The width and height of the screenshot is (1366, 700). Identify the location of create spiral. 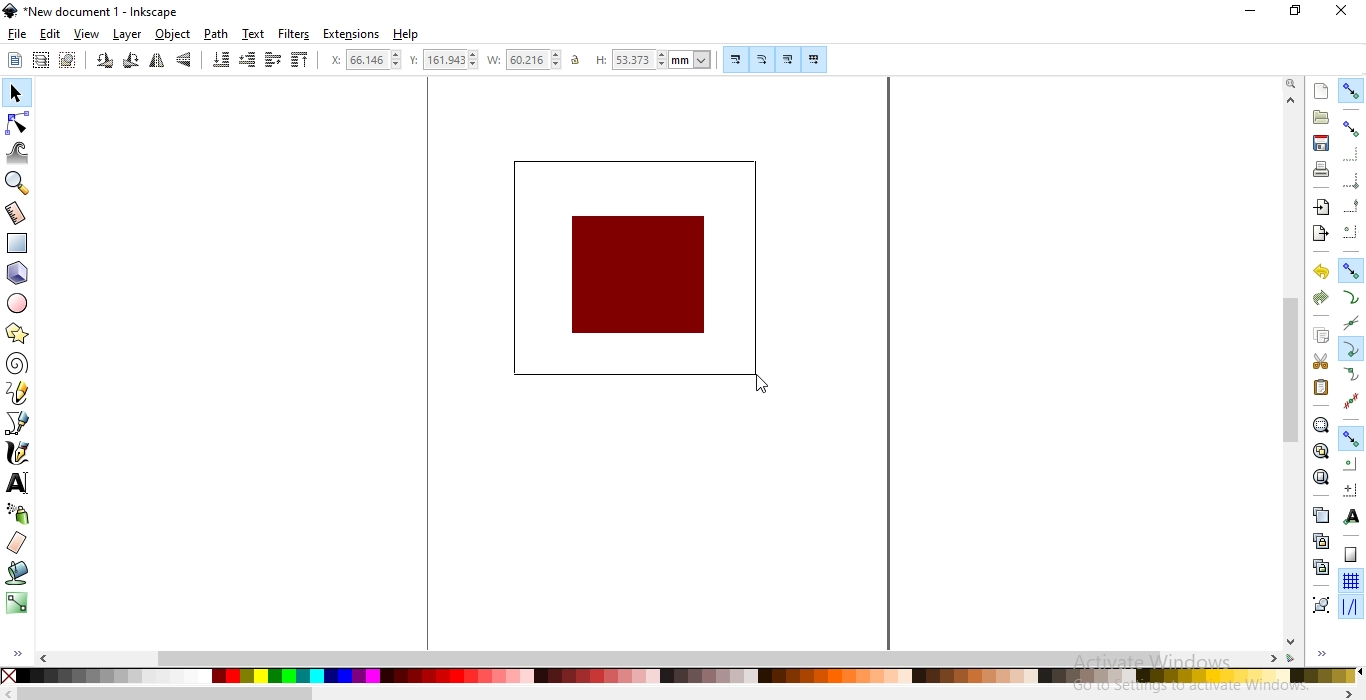
(16, 364).